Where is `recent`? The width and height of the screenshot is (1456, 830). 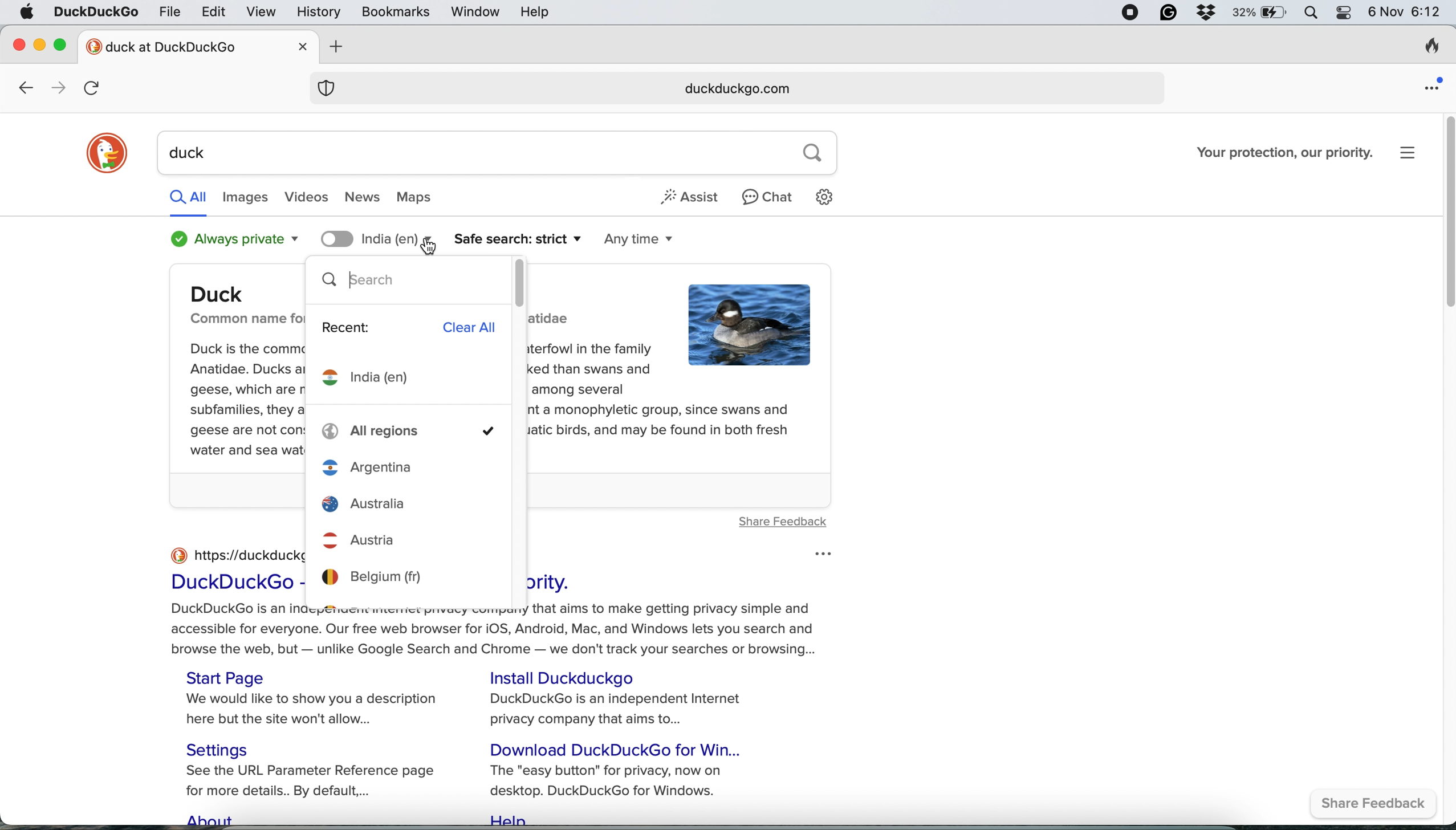
recent is located at coordinates (348, 328).